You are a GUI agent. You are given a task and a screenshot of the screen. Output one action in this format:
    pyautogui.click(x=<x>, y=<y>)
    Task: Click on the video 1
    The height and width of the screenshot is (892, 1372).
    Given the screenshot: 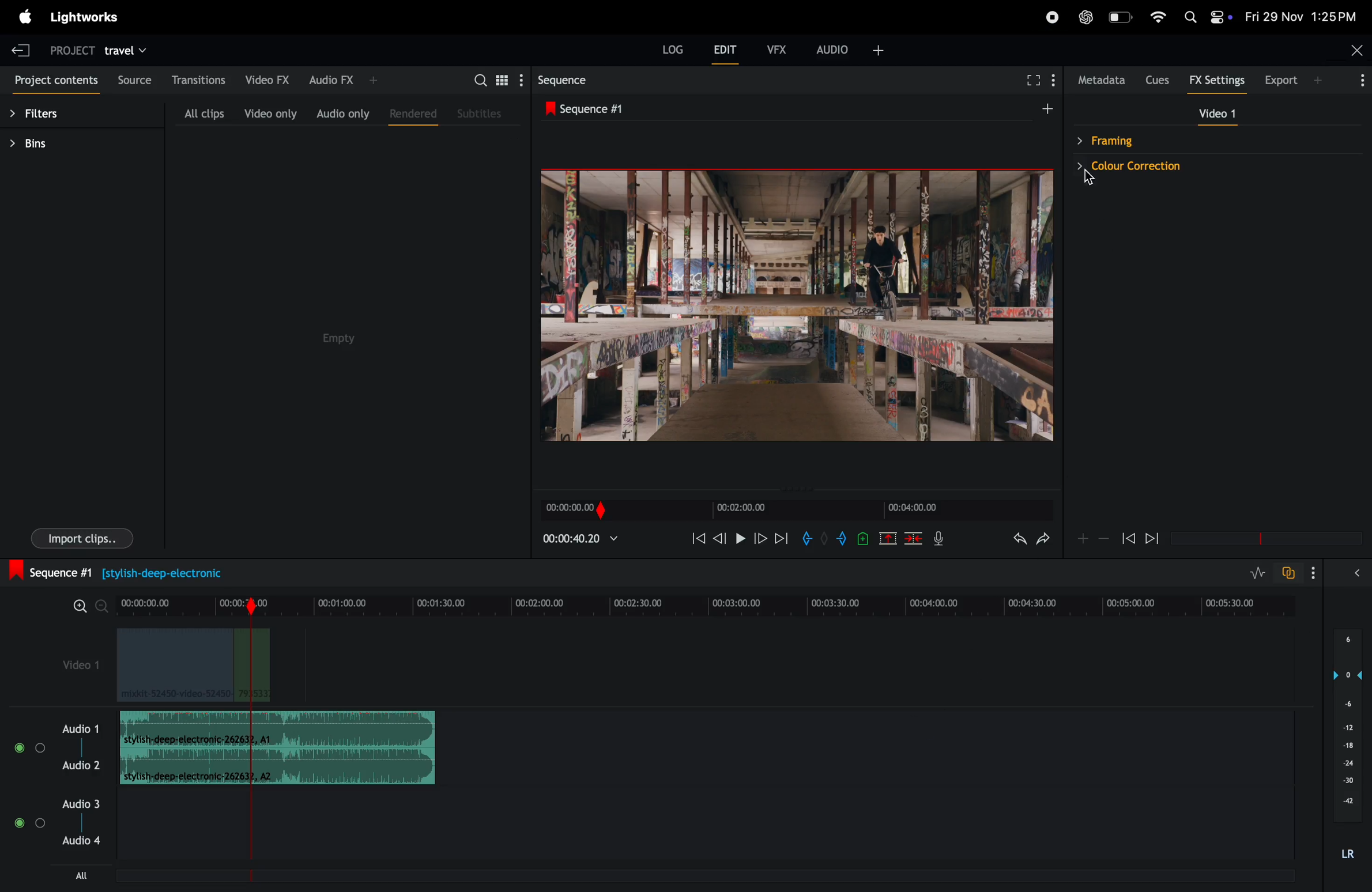 What is the action you would take?
    pyautogui.click(x=74, y=662)
    